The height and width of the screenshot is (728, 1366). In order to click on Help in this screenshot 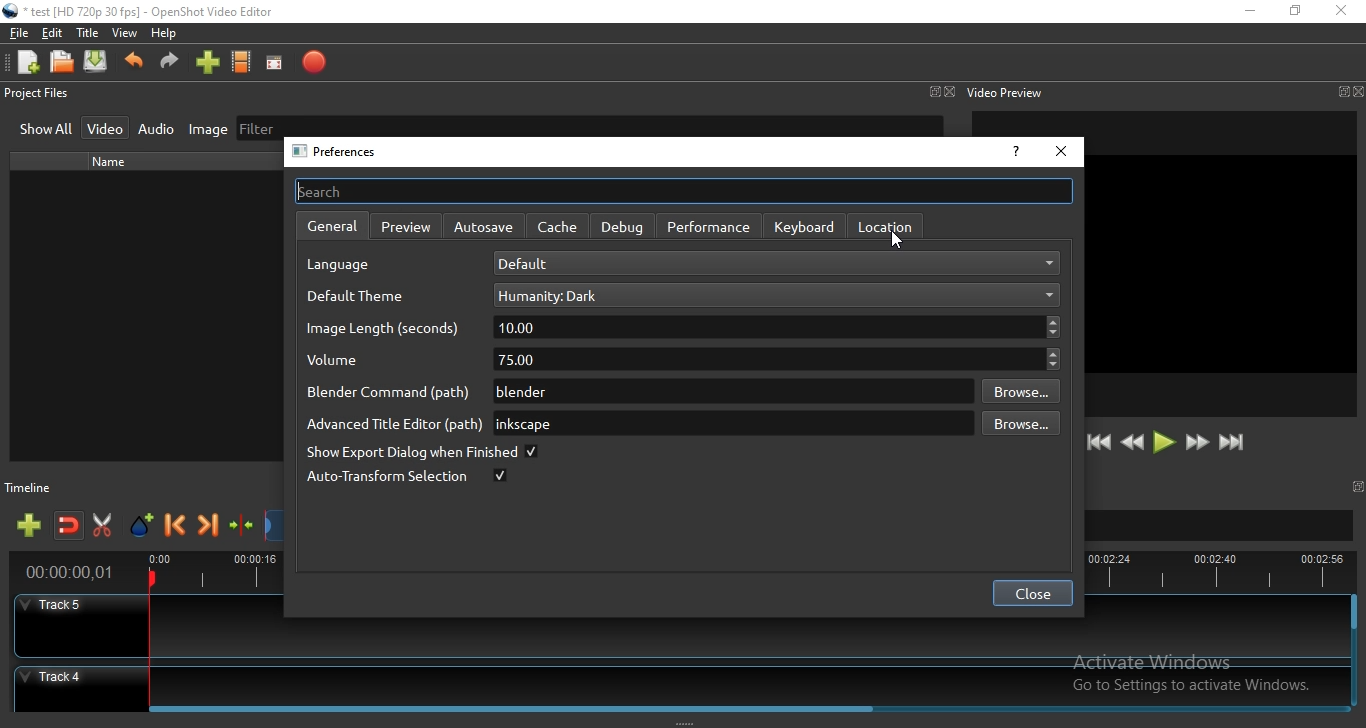, I will do `click(168, 35)`.